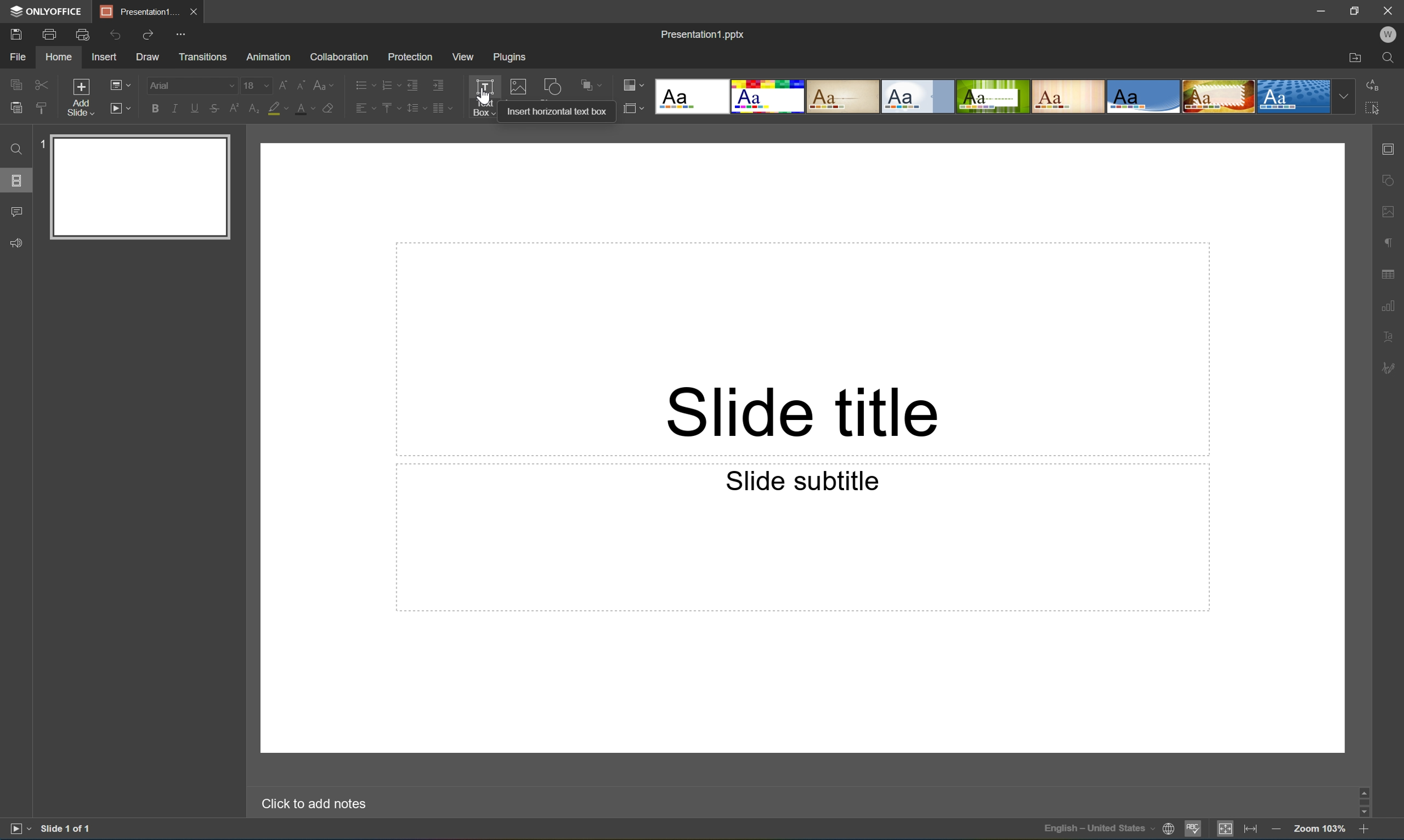 This screenshot has height=840, width=1404. Describe the element at coordinates (801, 412) in the screenshot. I see `Slide title` at that location.